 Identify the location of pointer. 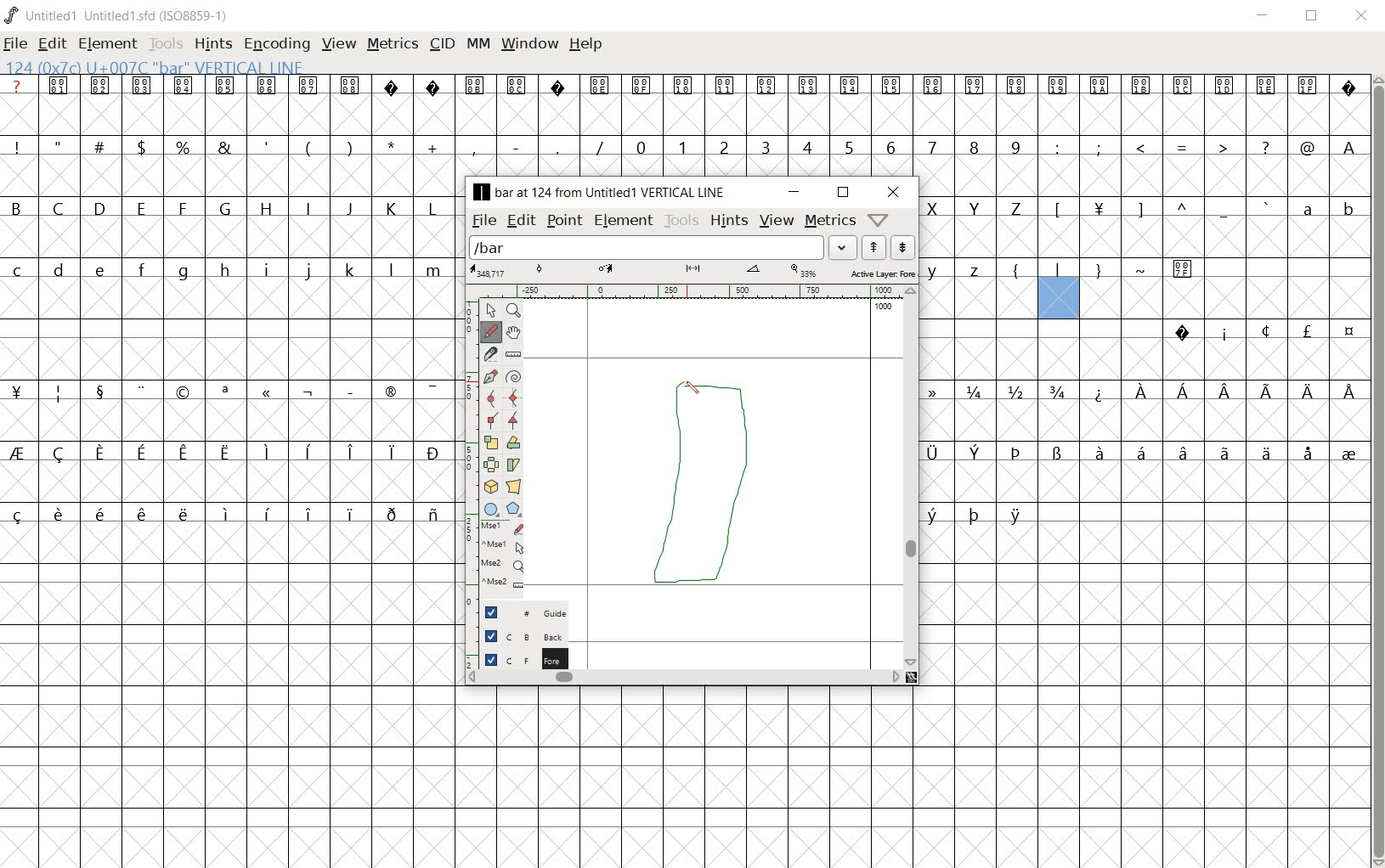
(489, 311).